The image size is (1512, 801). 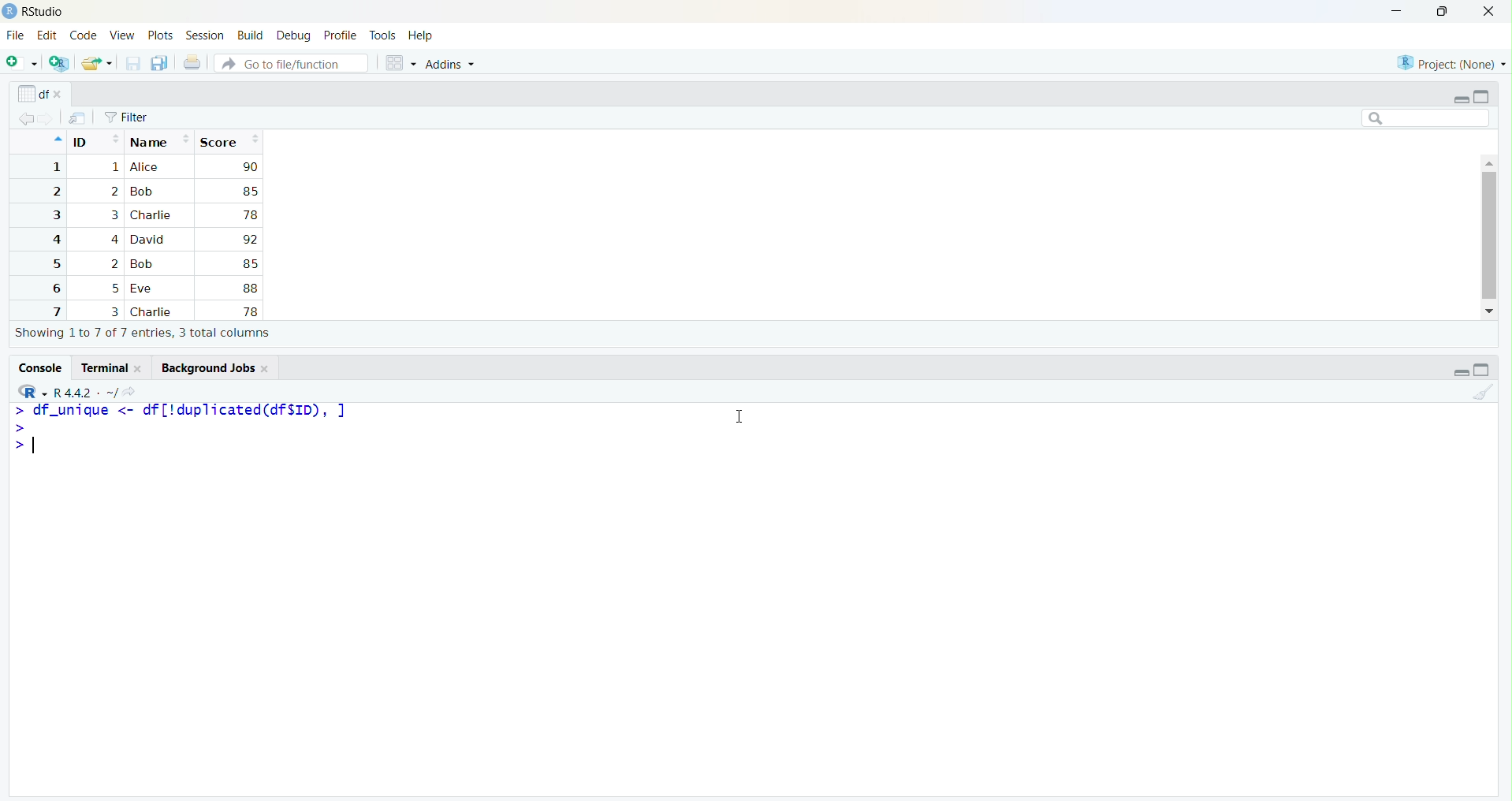 I want to click on 90, so click(x=250, y=166).